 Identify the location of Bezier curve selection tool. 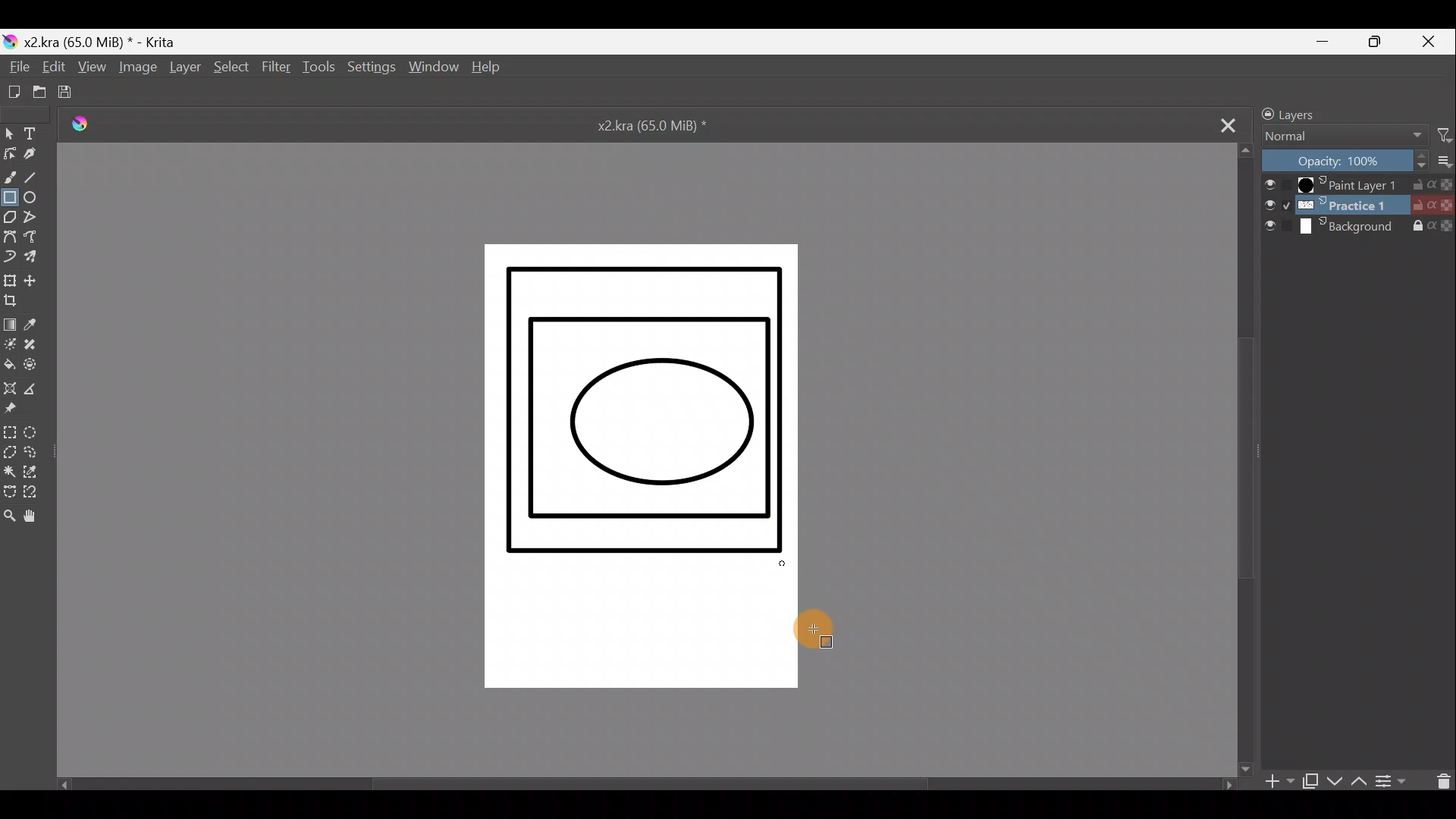
(9, 494).